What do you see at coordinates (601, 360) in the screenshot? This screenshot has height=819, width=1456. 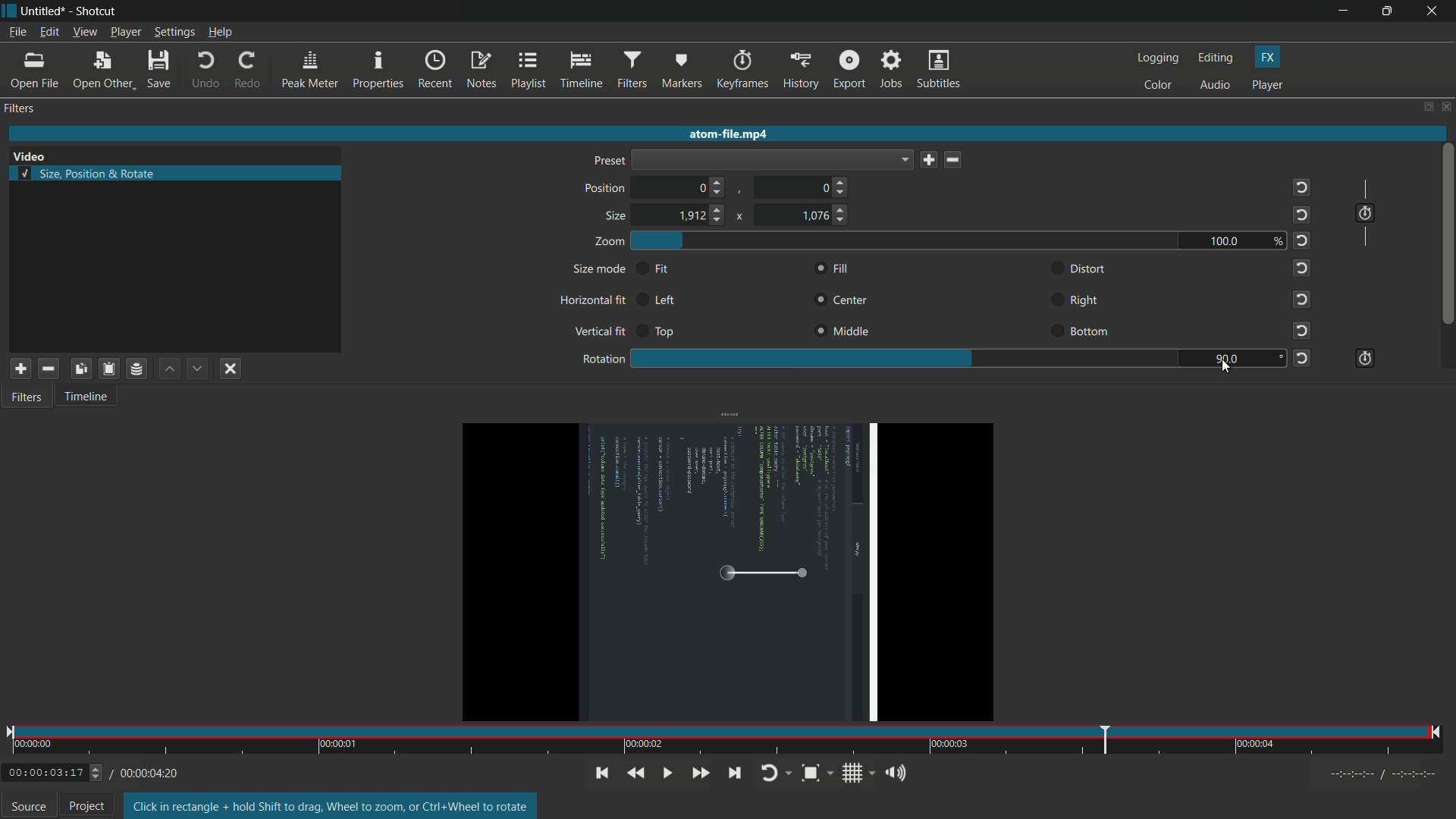 I see `rotation` at bounding box center [601, 360].